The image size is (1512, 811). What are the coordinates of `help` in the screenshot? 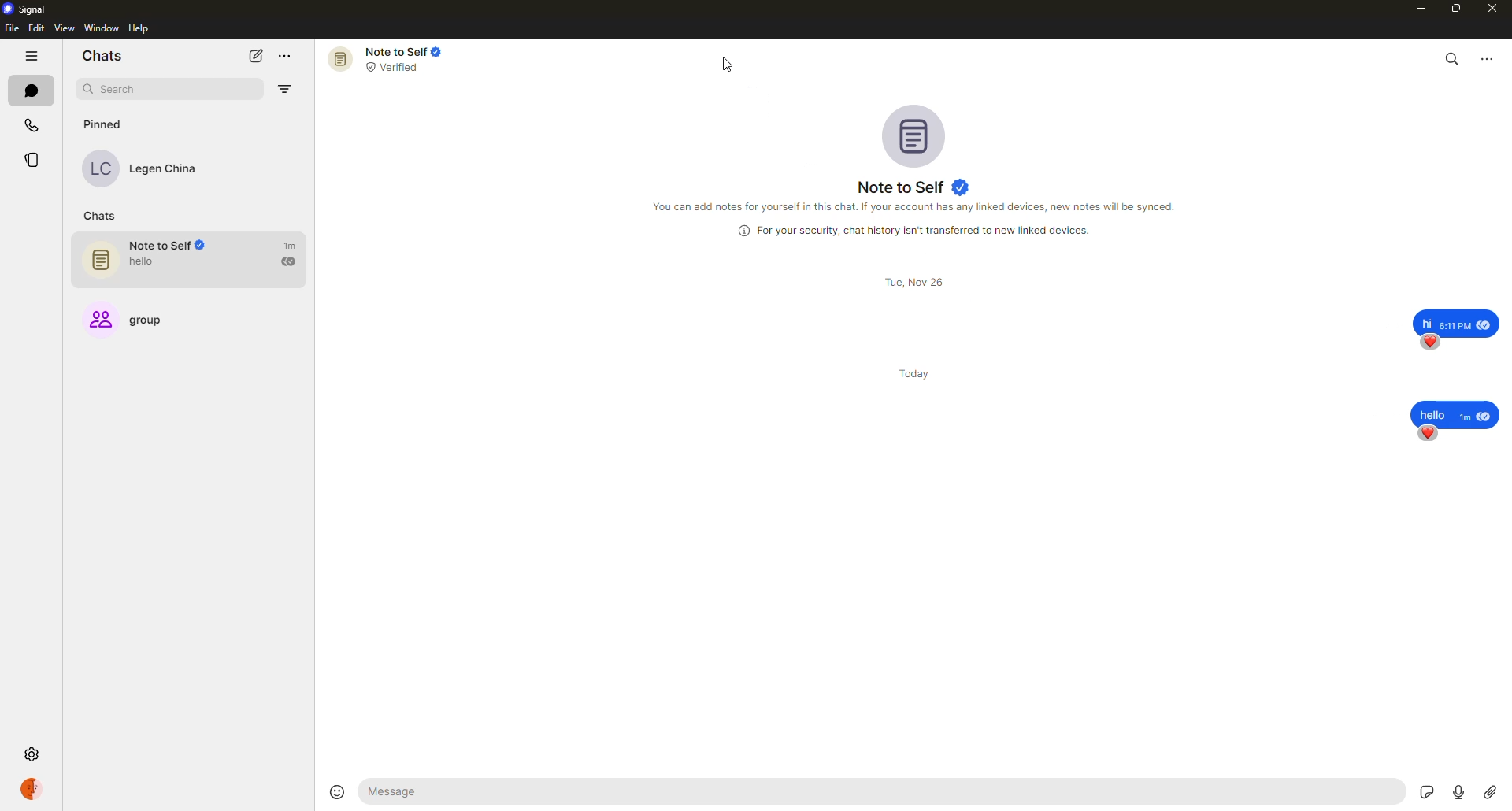 It's located at (139, 29).